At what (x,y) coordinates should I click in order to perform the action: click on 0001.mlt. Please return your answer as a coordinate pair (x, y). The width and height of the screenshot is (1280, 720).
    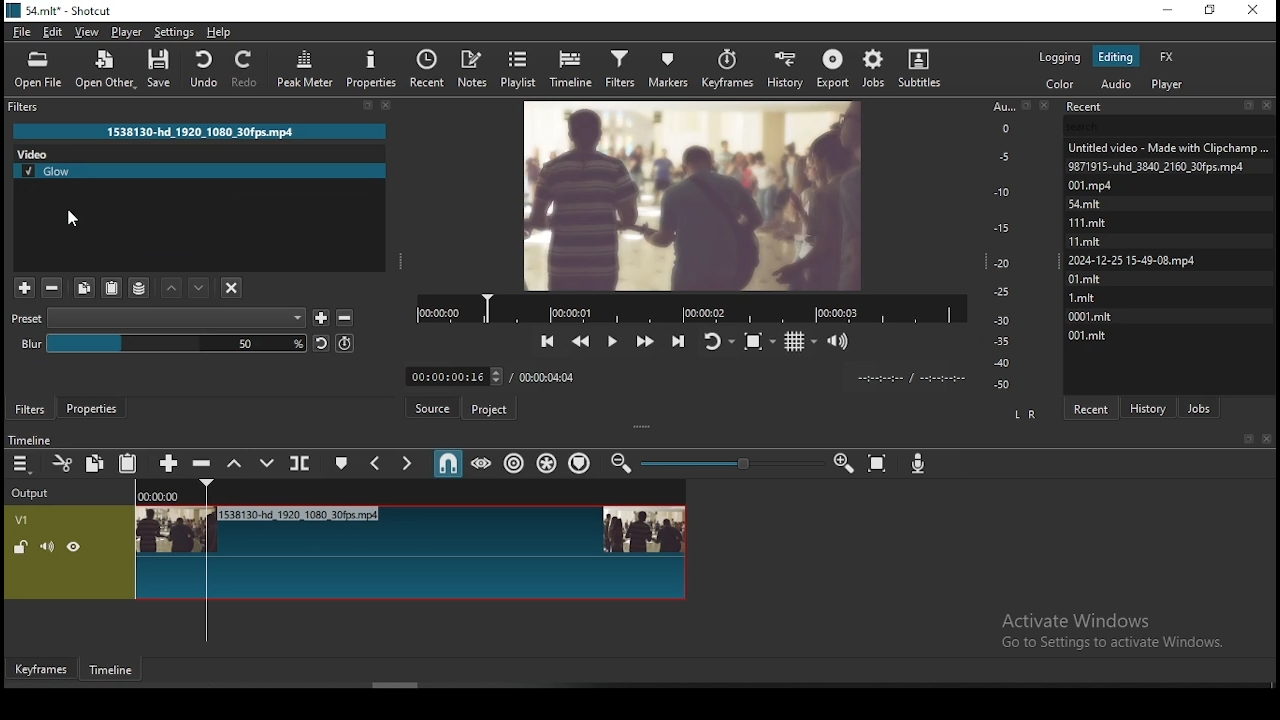
    Looking at the image, I should click on (1092, 315).